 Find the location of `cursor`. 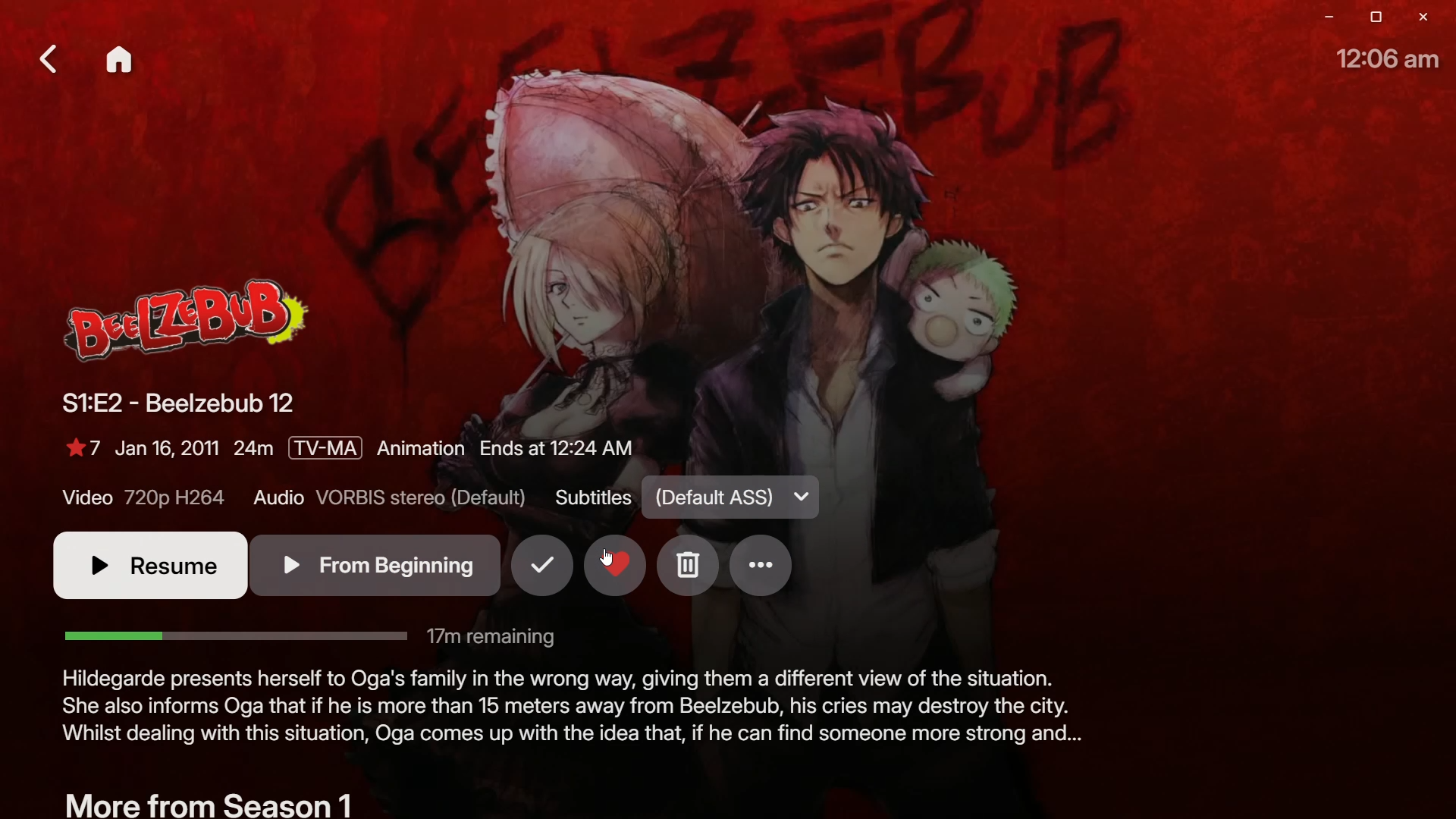

cursor is located at coordinates (606, 554).